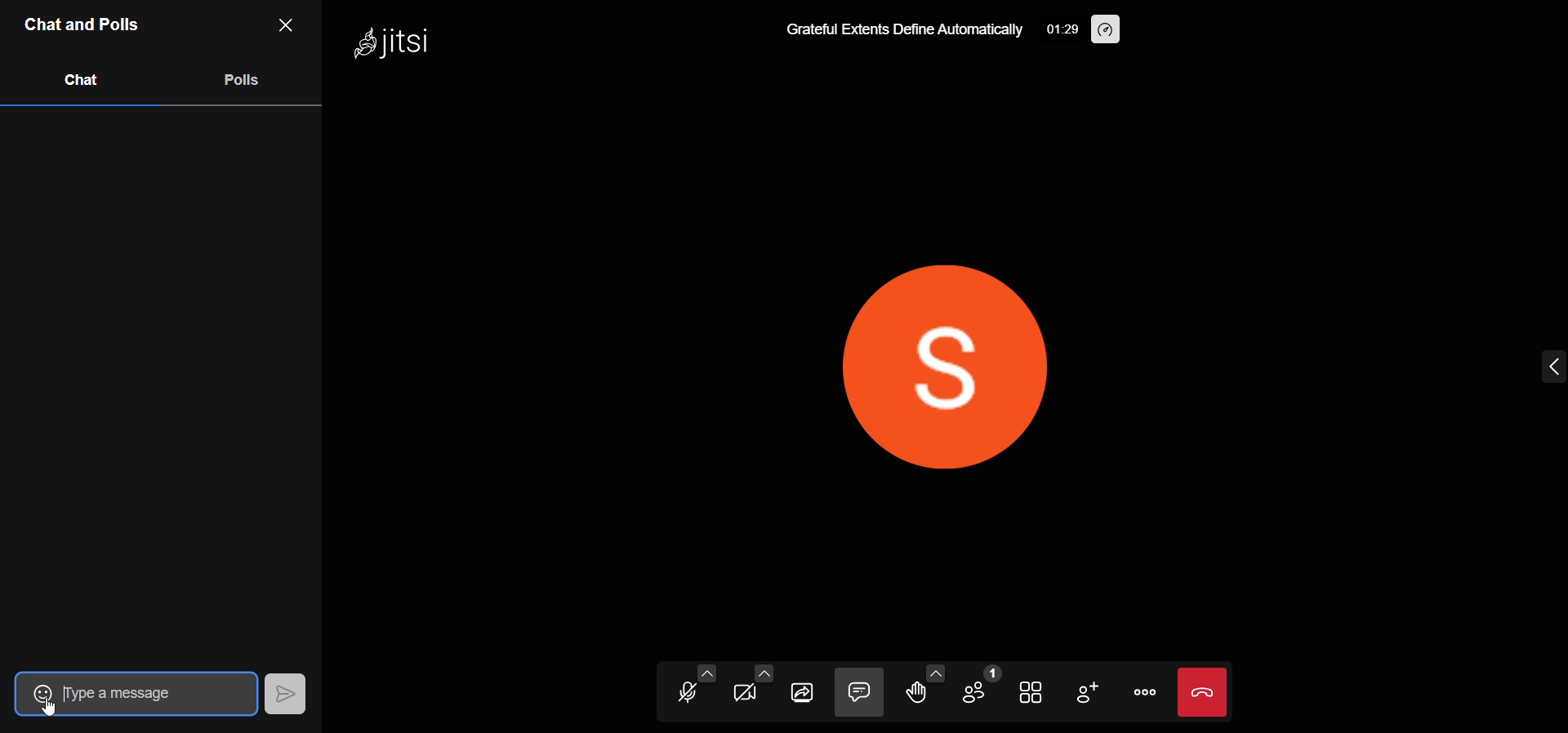  Describe the element at coordinates (243, 81) in the screenshot. I see `polls` at that location.